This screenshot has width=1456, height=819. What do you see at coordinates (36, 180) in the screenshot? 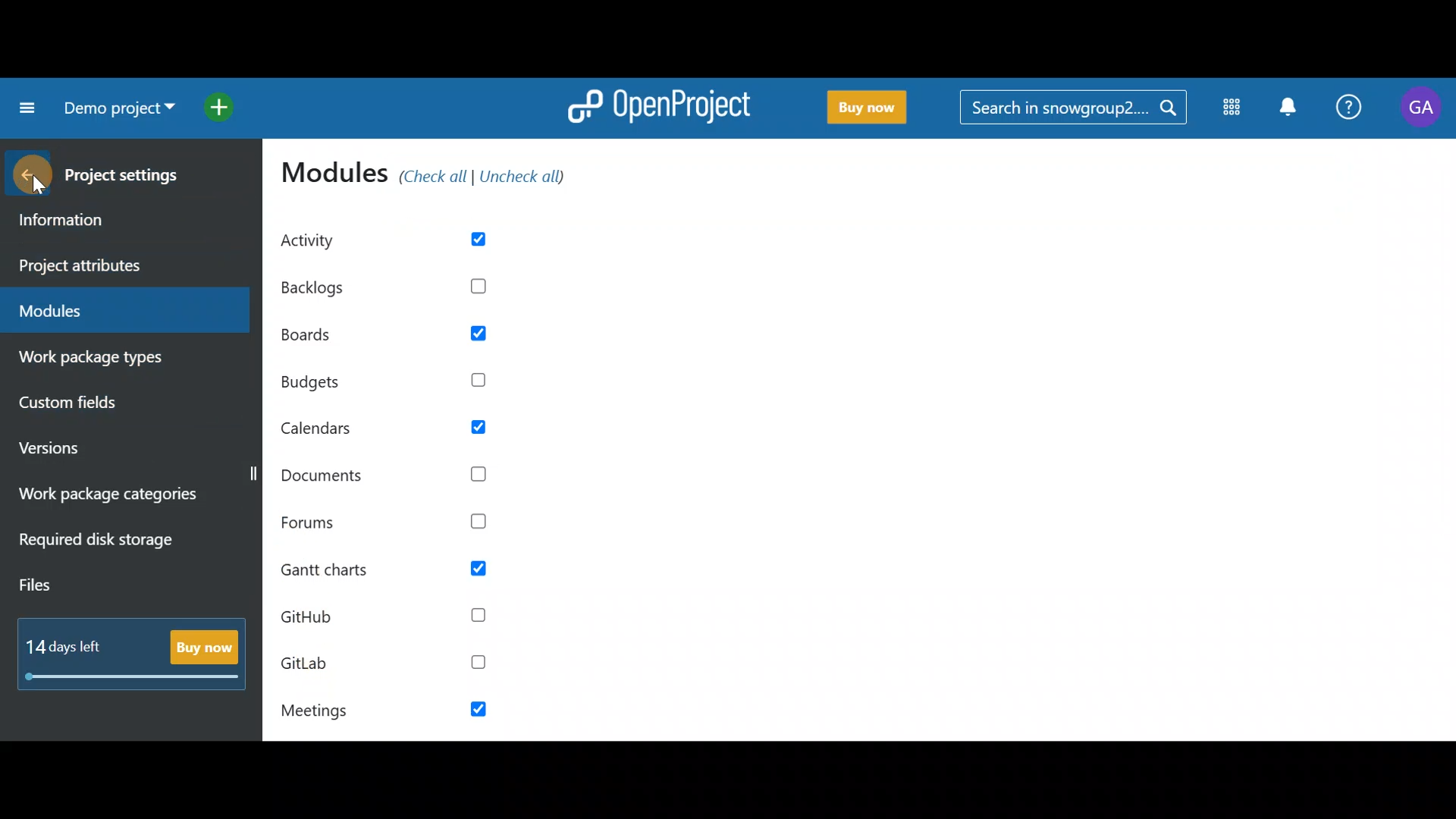
I see `Cursor` at bounding box center [36, 180].